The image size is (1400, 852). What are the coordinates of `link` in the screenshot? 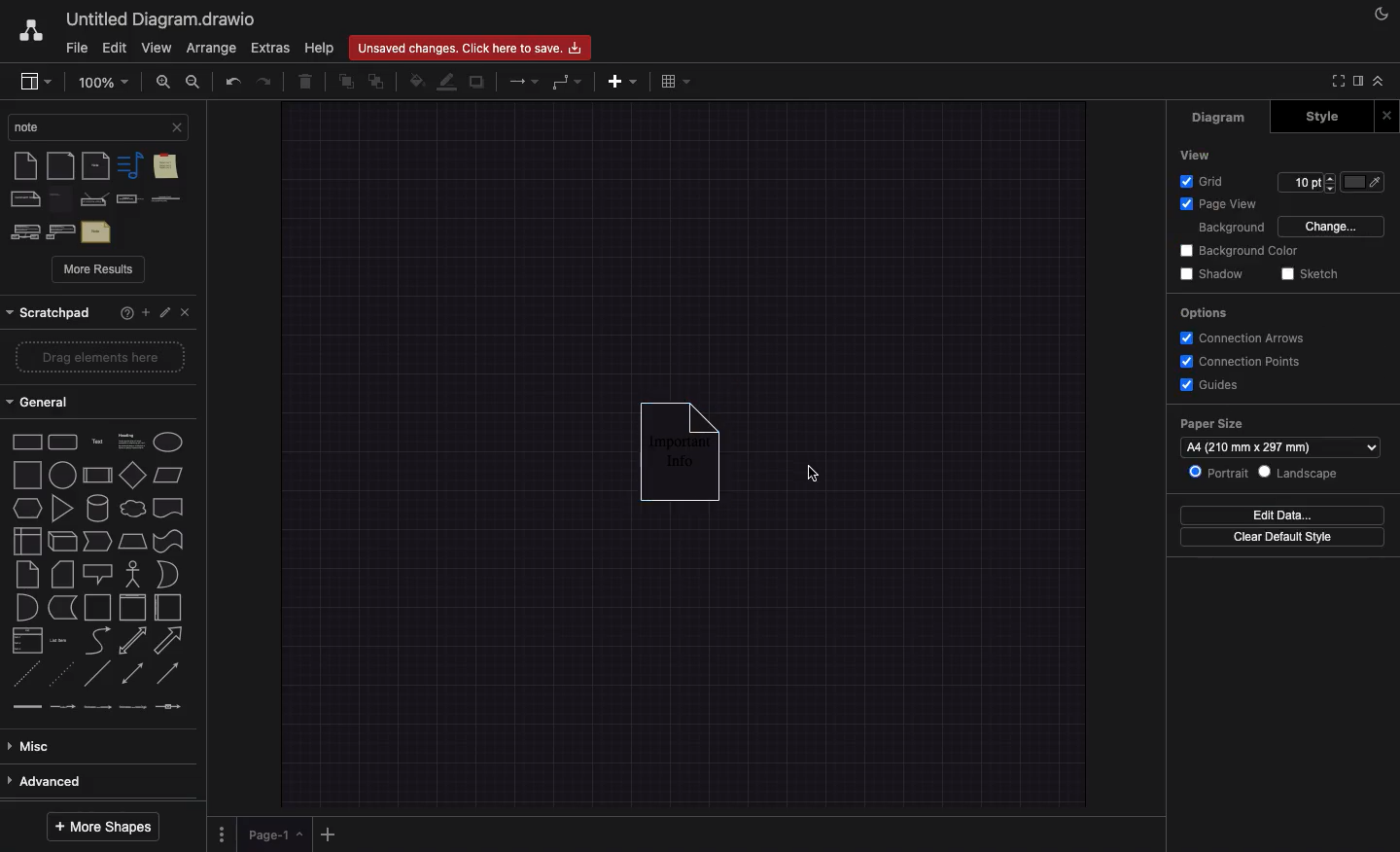 It's located at (27, 711).